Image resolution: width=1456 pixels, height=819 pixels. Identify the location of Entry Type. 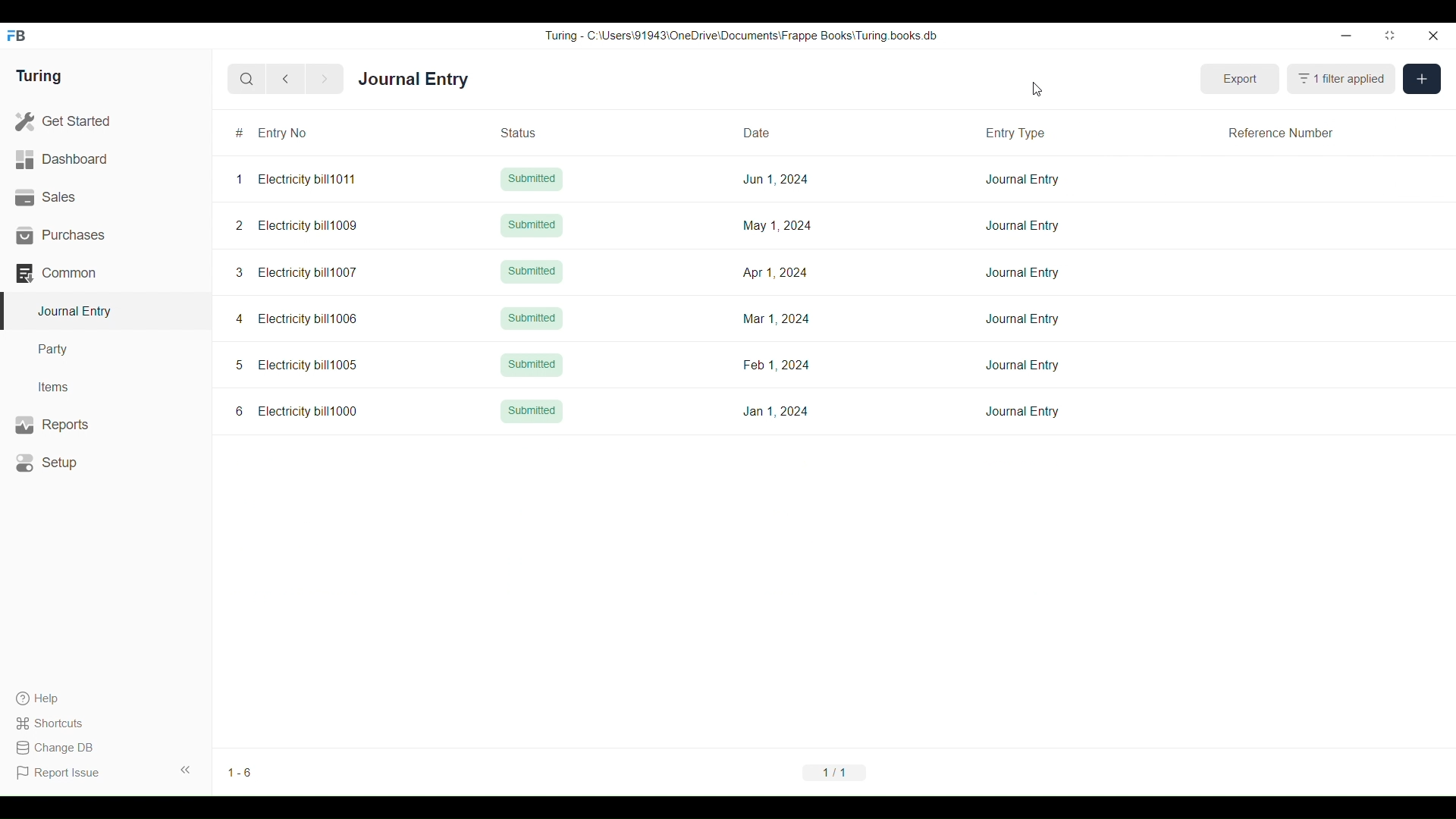
(1020, 131).